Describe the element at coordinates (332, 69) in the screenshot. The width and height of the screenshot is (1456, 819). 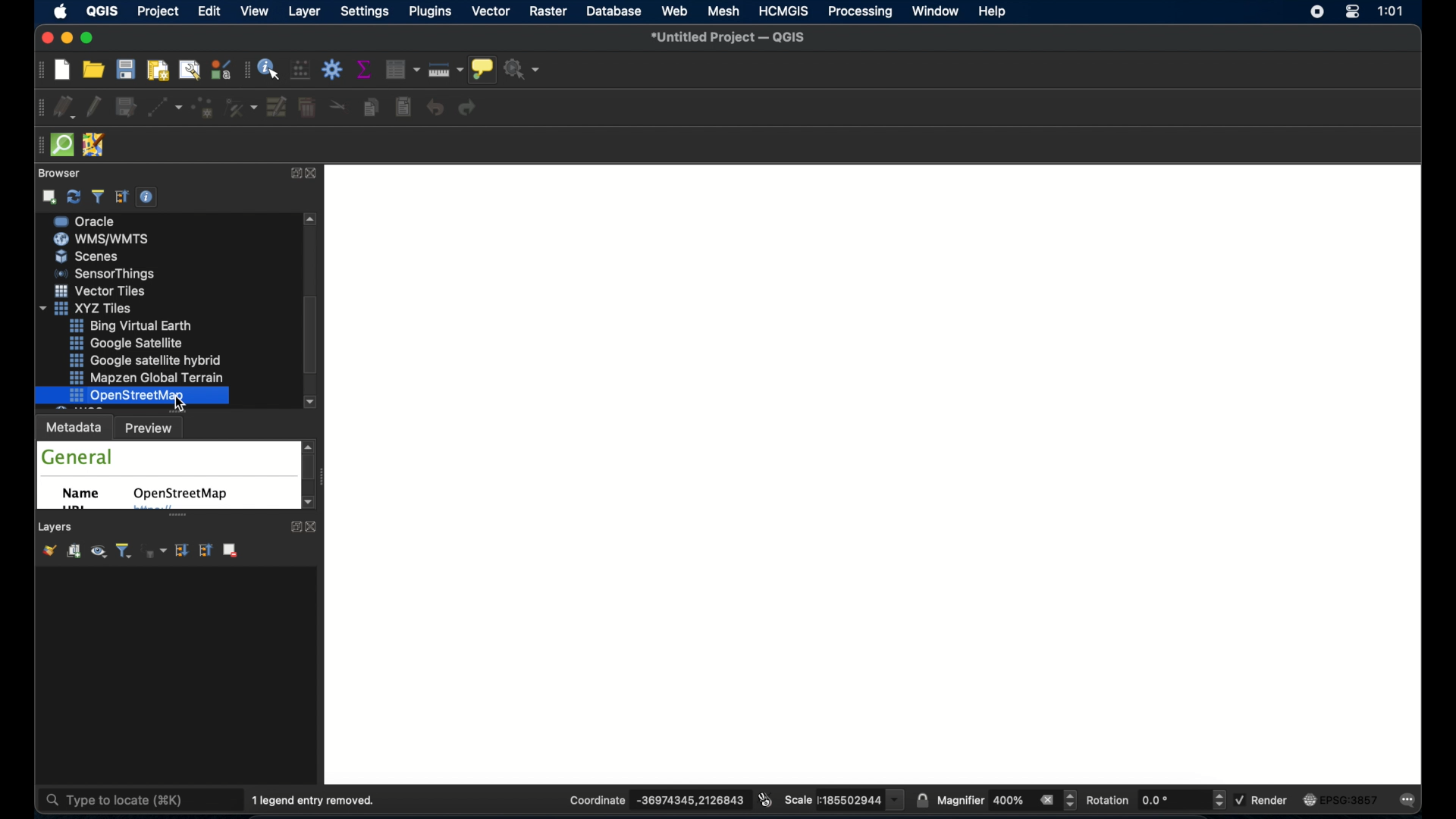
I see `toolbox` at that location.